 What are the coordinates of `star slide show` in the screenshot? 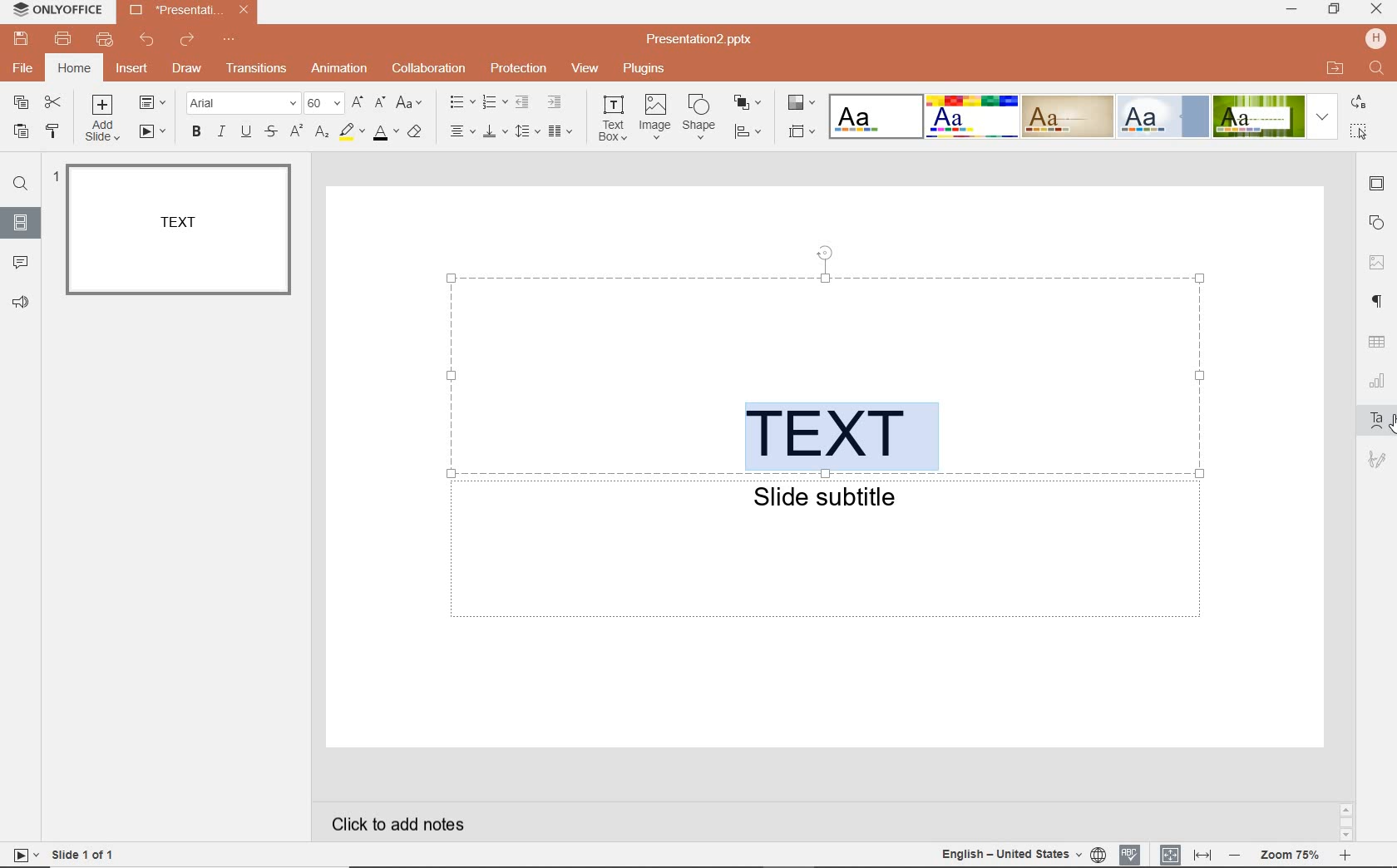 It's located at (22, 854).